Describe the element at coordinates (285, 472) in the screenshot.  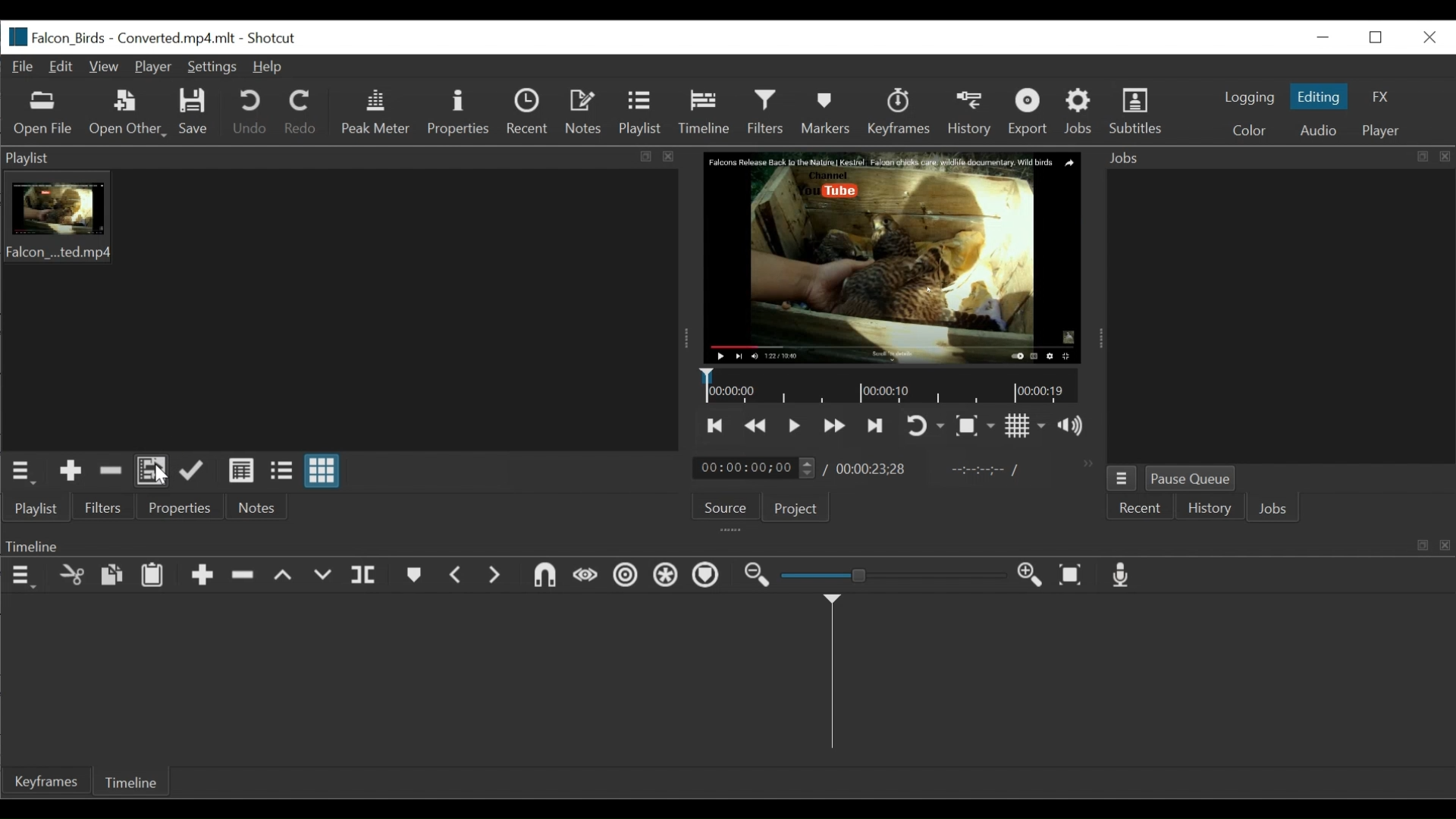
I see `View as files` at that location.